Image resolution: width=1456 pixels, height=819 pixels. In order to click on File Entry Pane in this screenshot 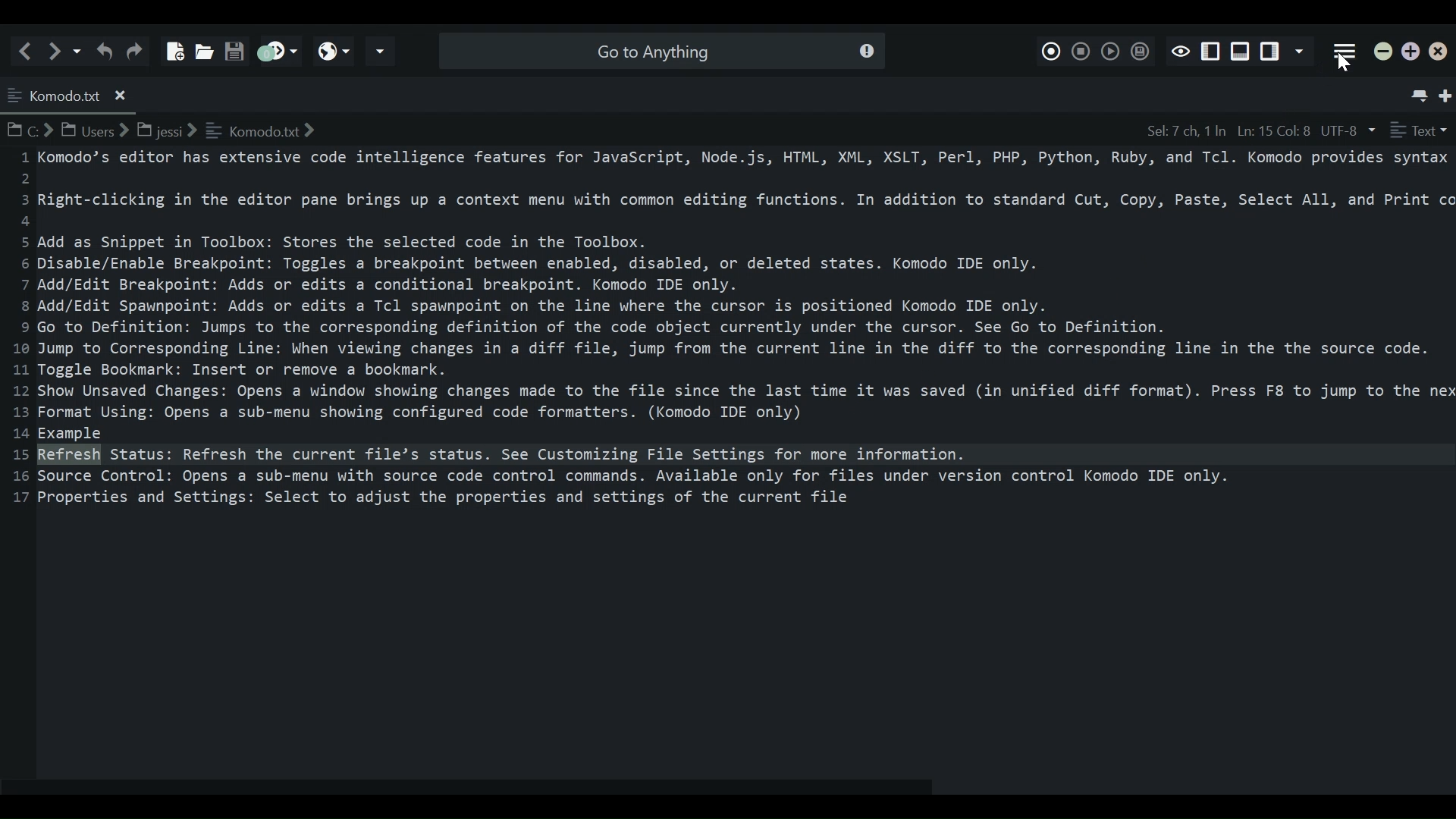, I will do `click(730, 459)`.